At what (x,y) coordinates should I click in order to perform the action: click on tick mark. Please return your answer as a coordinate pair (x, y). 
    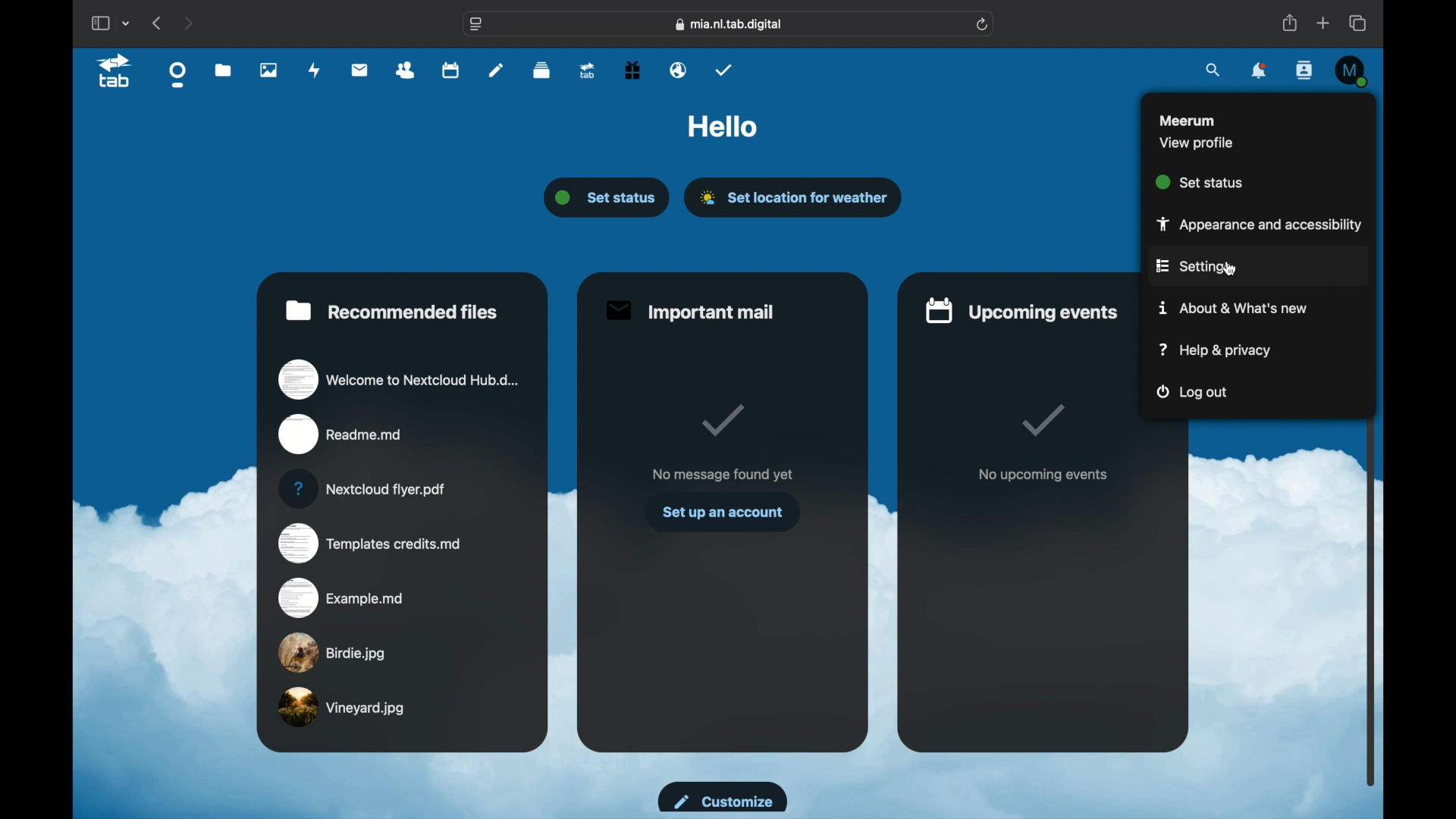
    Looking at the image, I should click on (1045, 422).